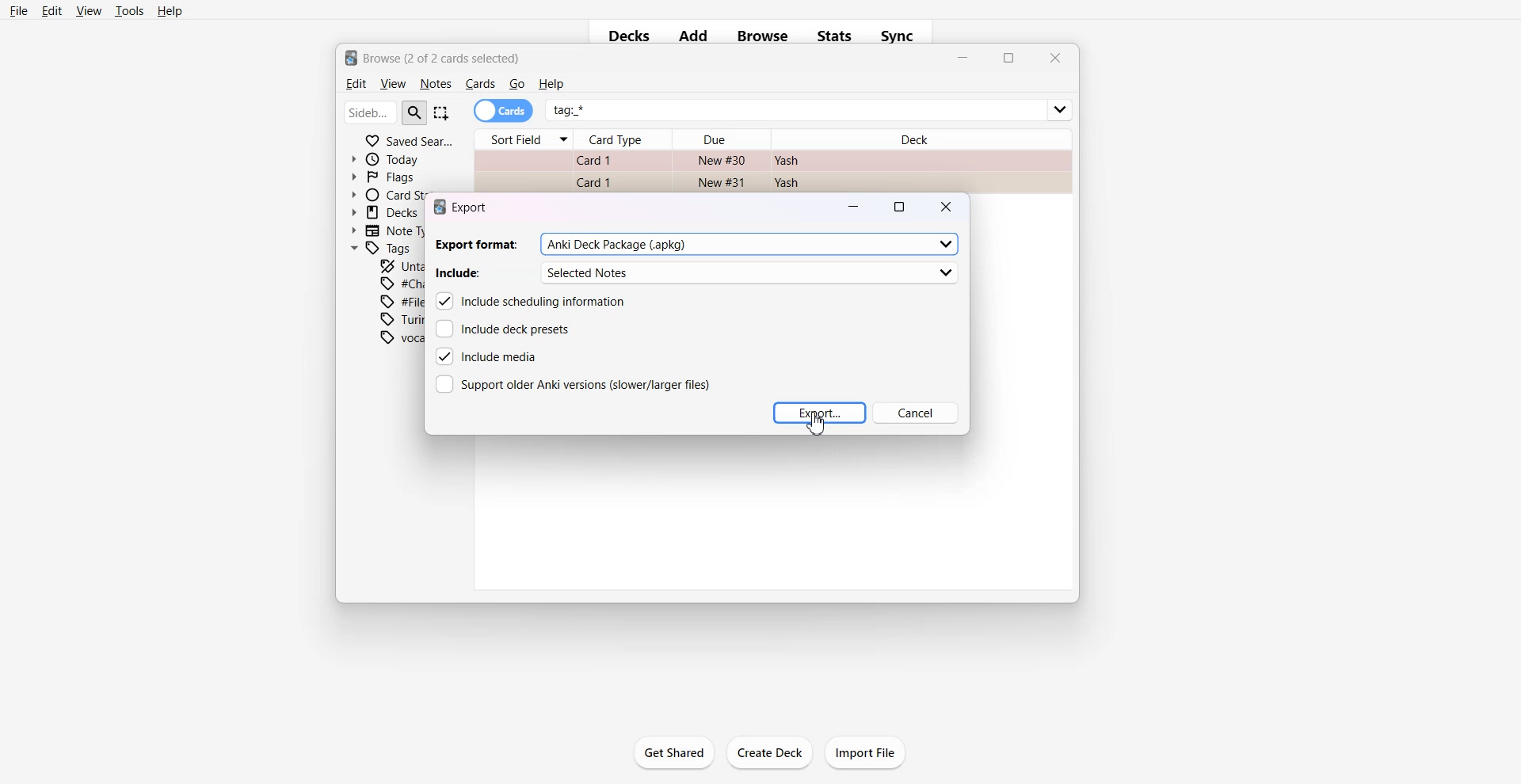  What do you see at coordinates (855, 206) in the screenshot?
I see `Minimize` at bounding box center [855, 206].